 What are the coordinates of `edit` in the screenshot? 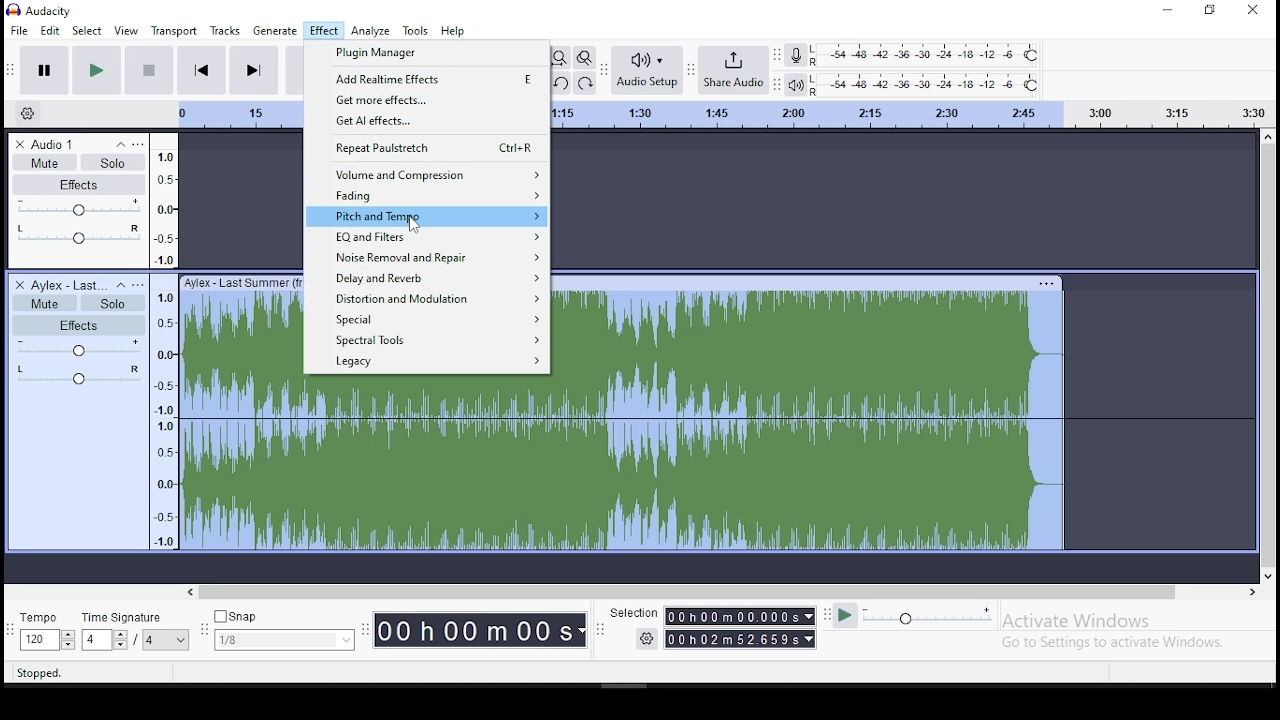 It's located at (49, 30).